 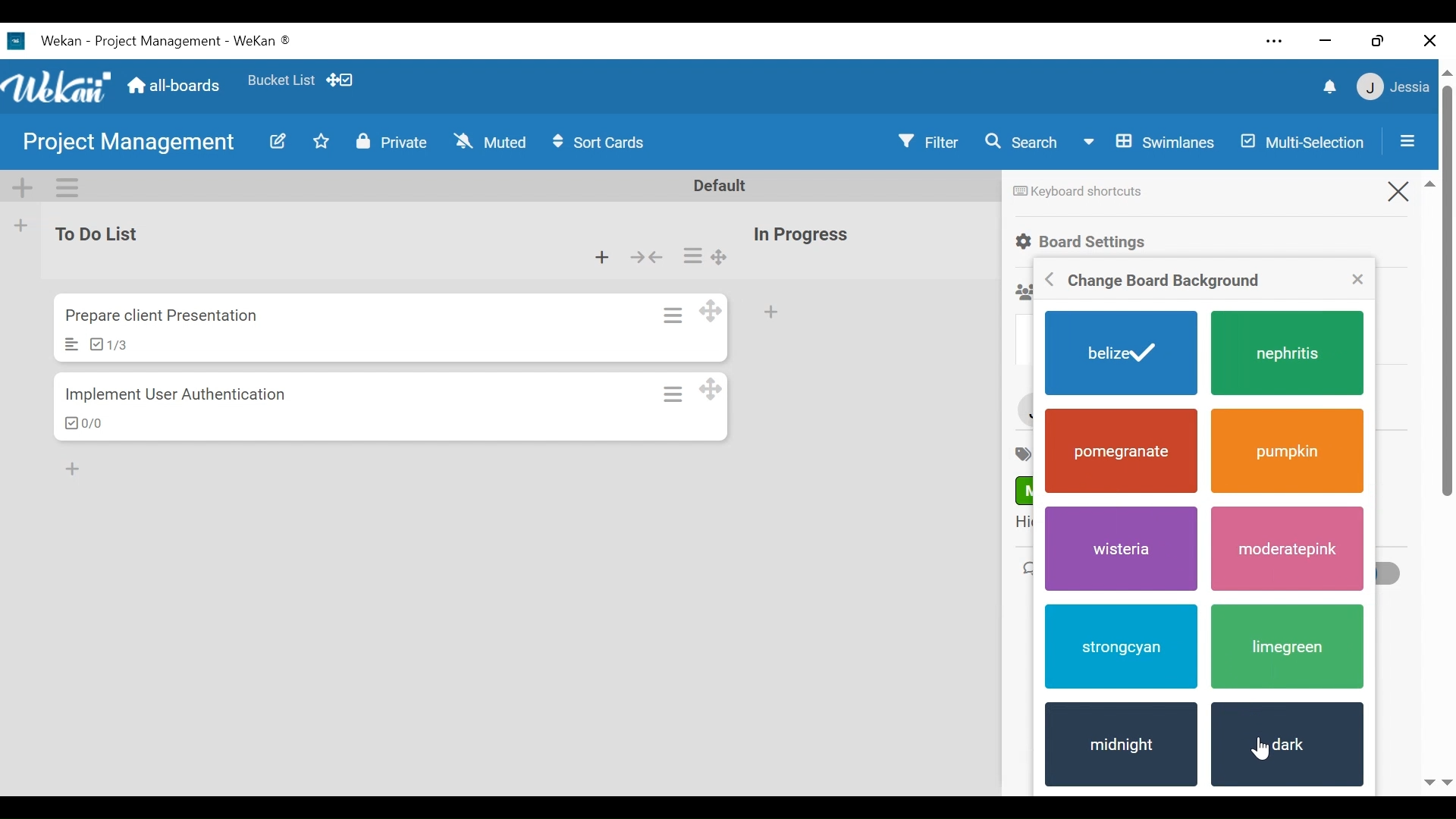 I want to click on Cursor, so click(x=1268, y=748).